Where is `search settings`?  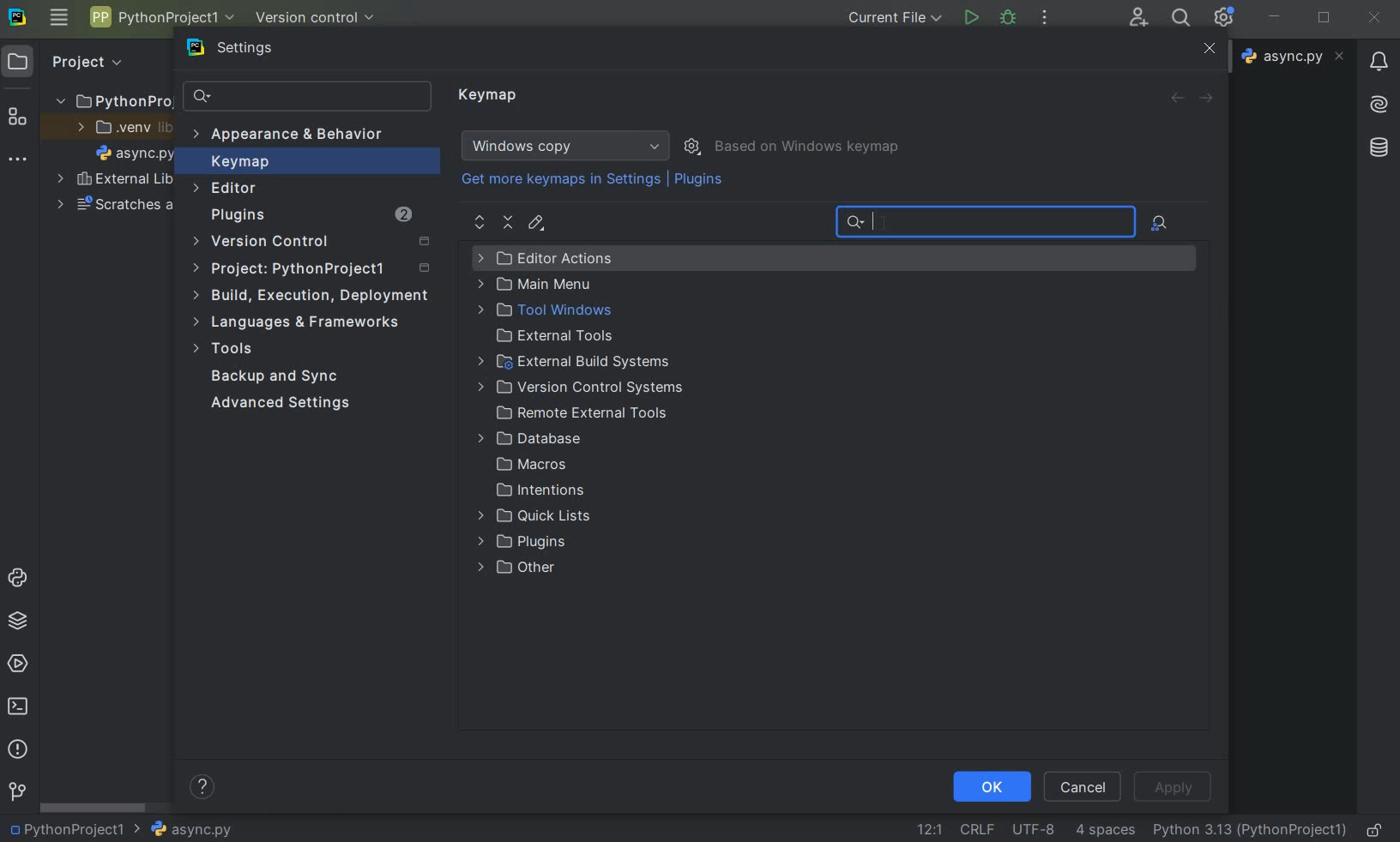 search settings is located at coordinates (308, 97).